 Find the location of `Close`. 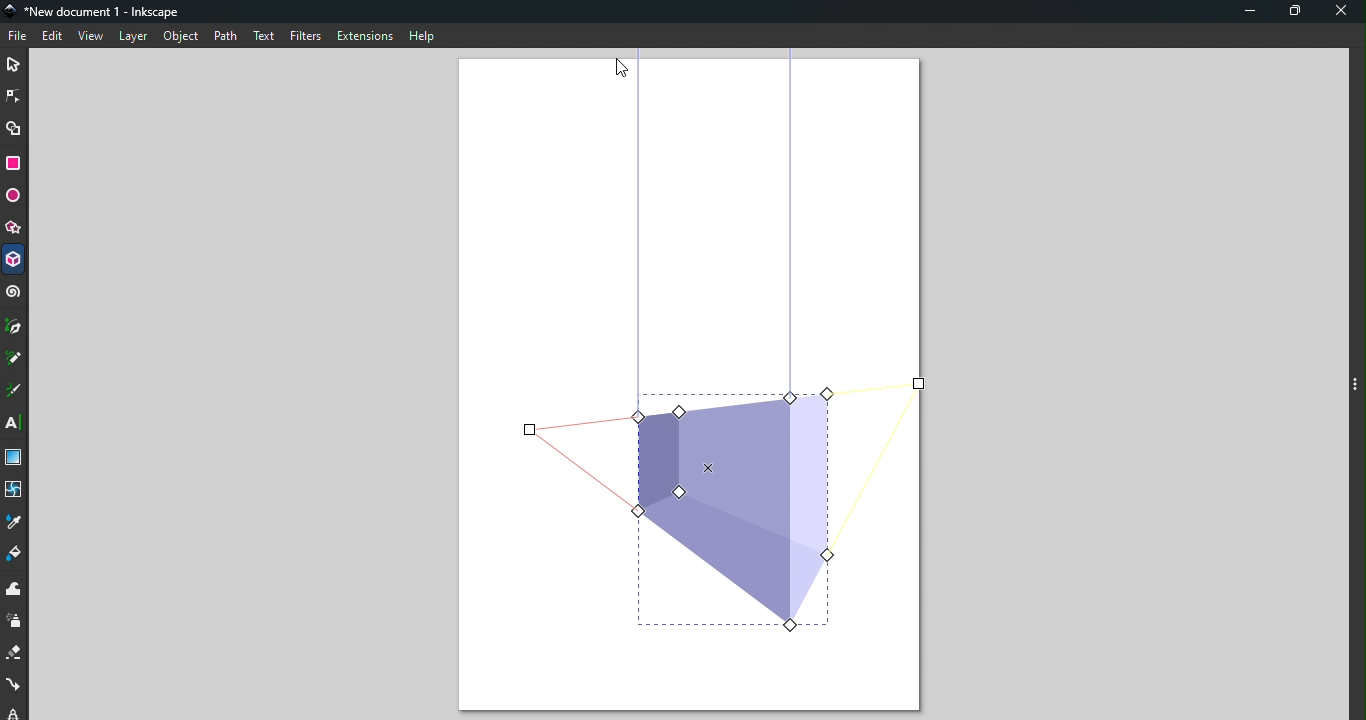

Close is located at coordinates (1341, 14).